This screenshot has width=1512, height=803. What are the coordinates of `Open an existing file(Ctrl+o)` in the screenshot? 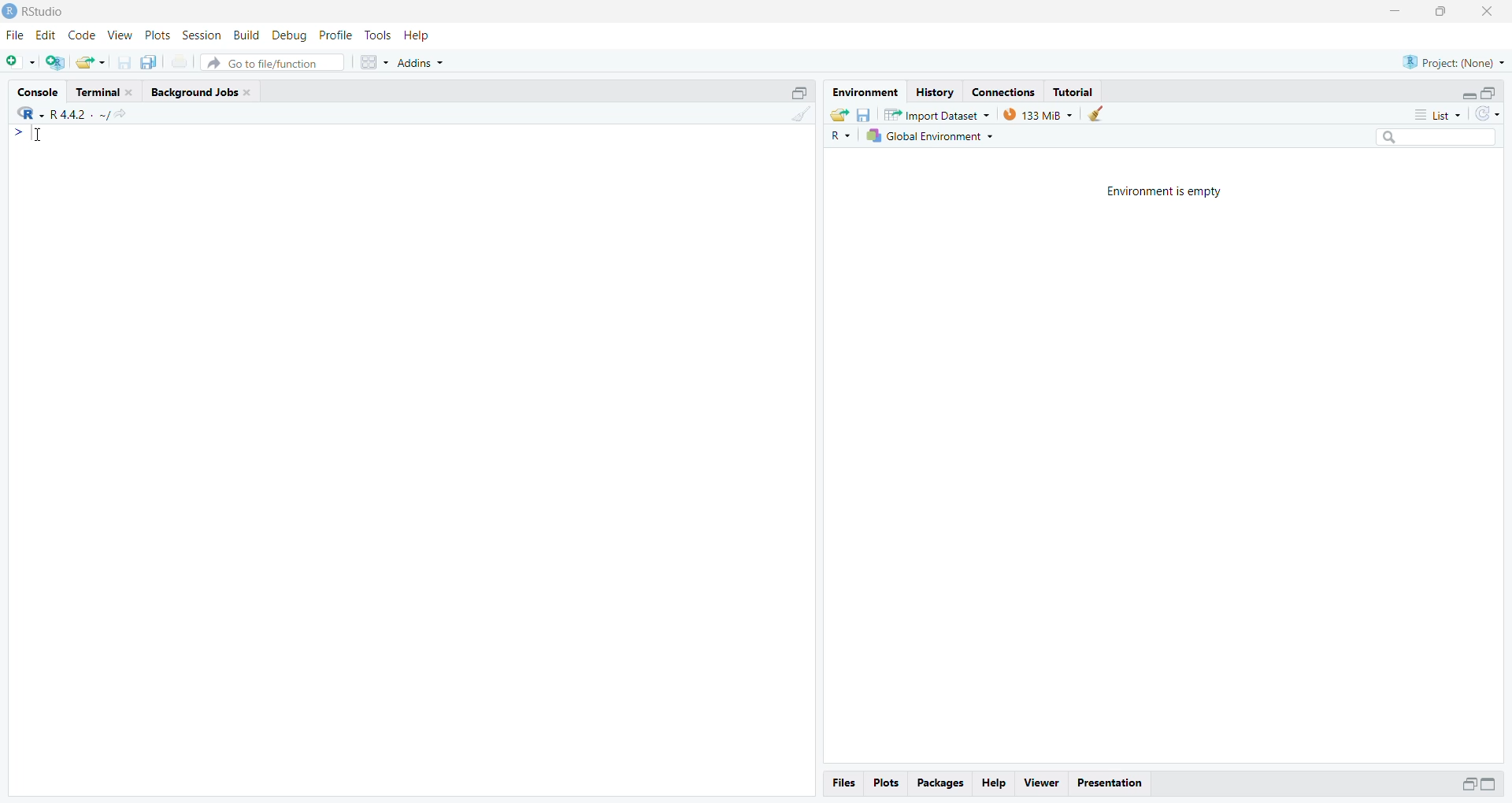 It's located at (93, 62).